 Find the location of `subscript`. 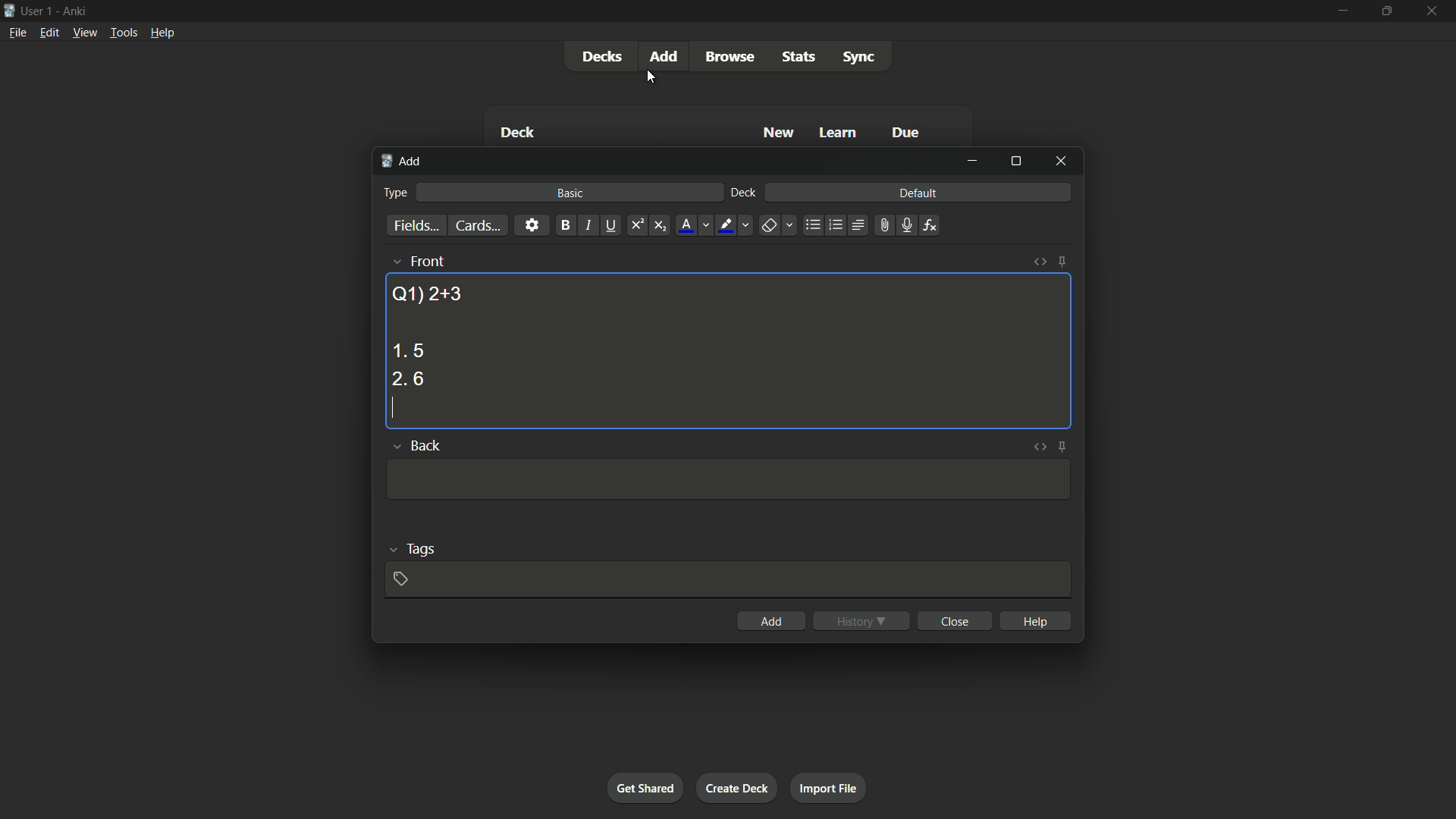

subscript is located at coordinates (660, 226).